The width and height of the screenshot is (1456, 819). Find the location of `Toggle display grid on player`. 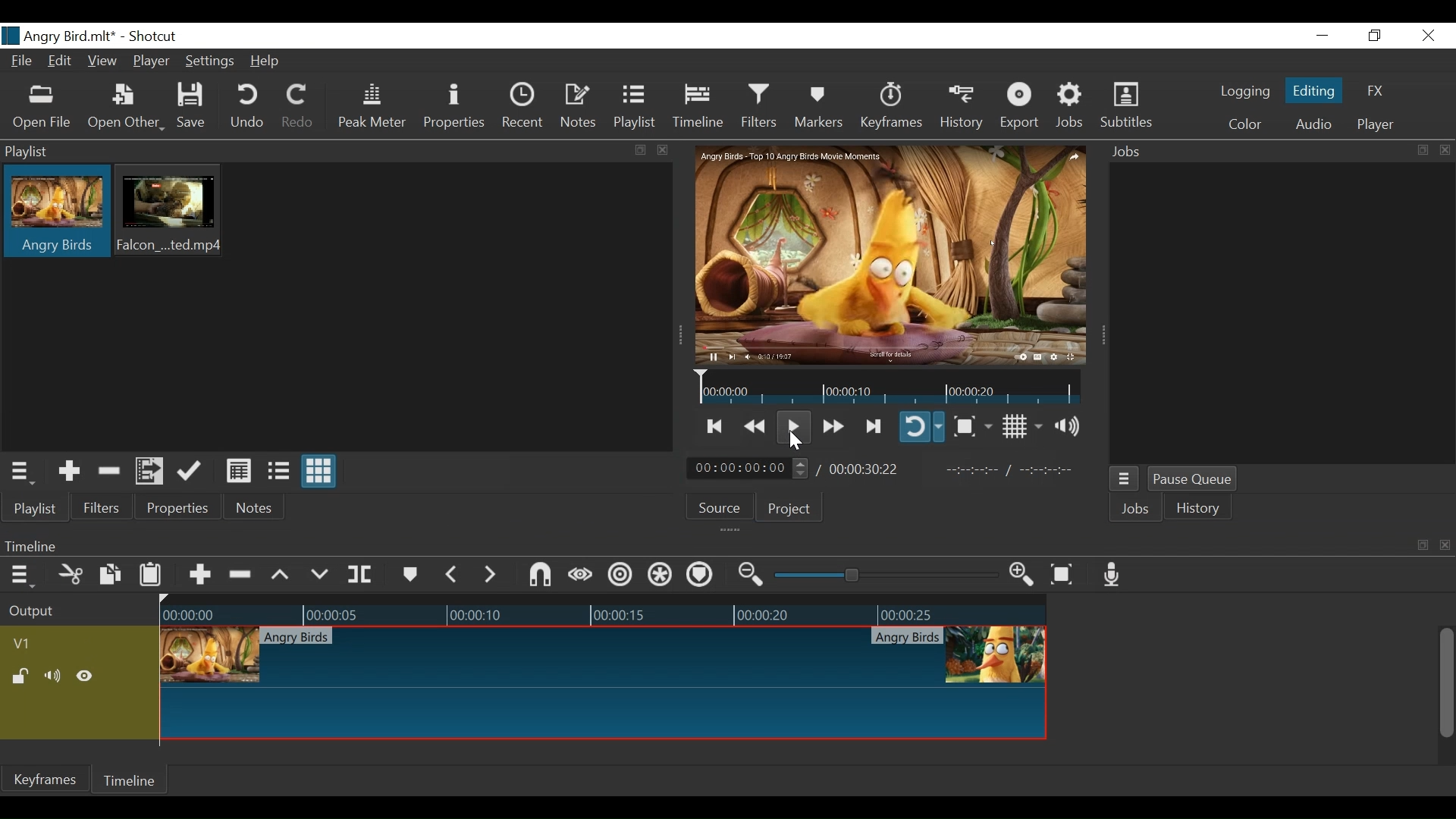

Toggle display grid on player is located at coordinates (1021, 427).